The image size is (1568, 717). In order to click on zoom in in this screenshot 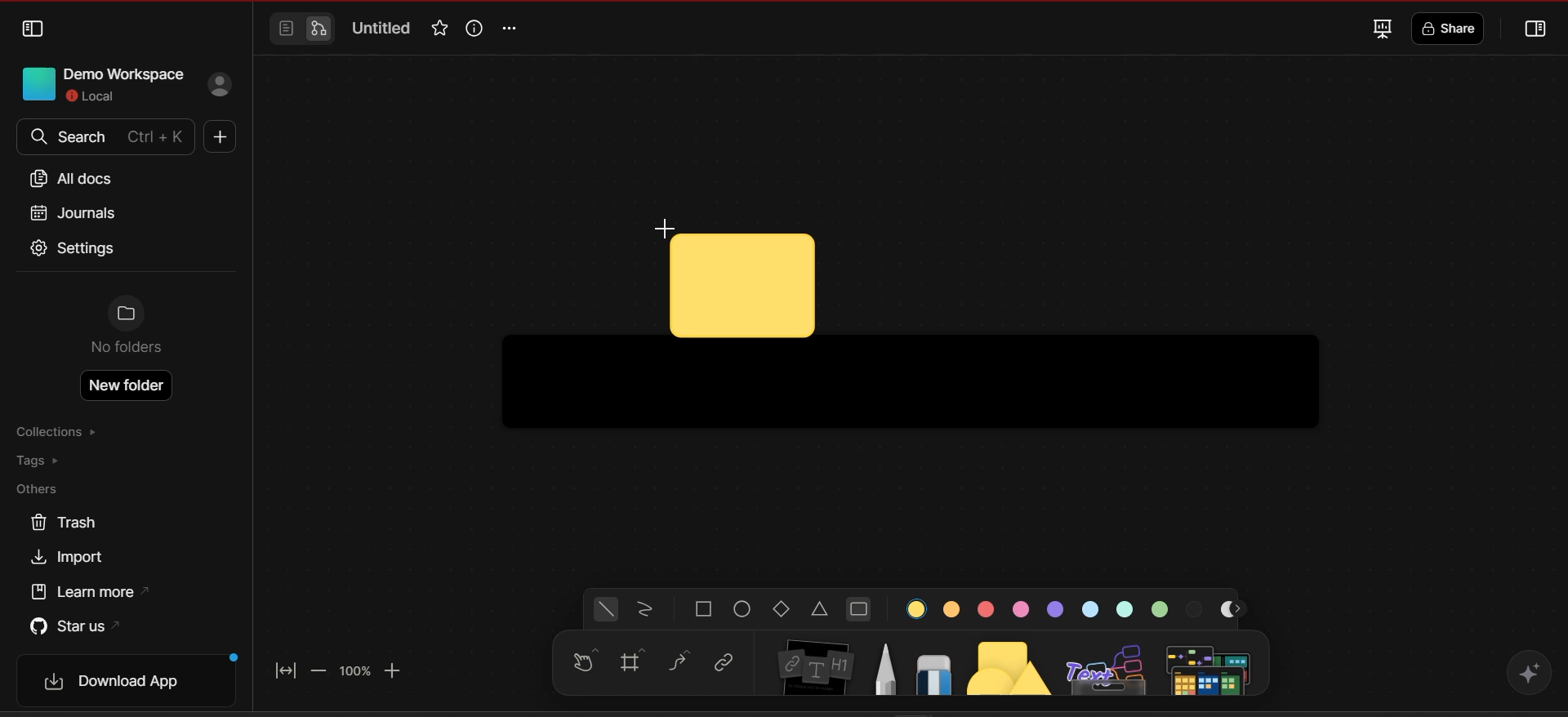, I will do `click(396, 670)`.